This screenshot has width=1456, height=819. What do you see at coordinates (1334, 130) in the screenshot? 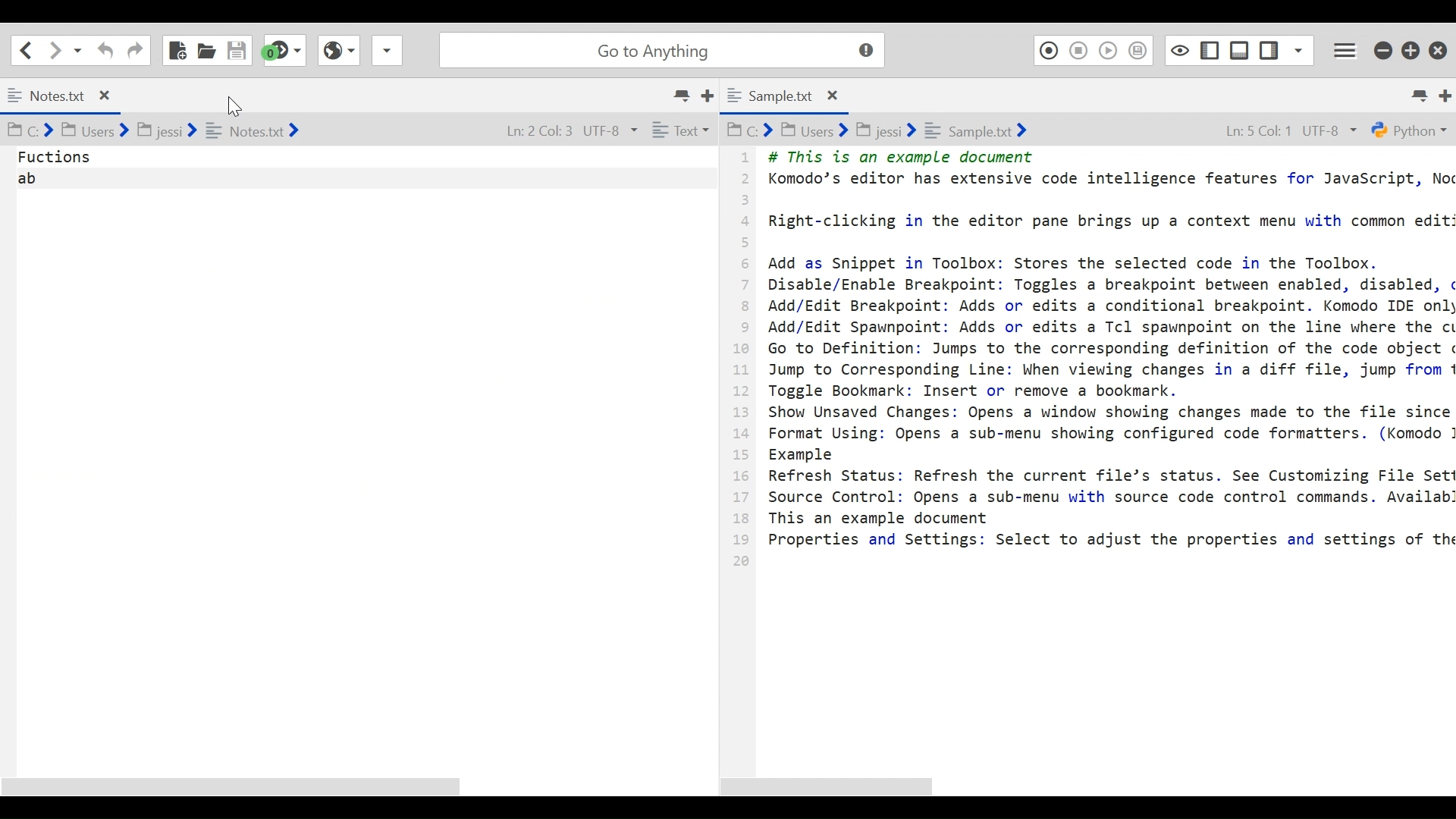
I see `UTF-8` at bounding box center [1334, 130].